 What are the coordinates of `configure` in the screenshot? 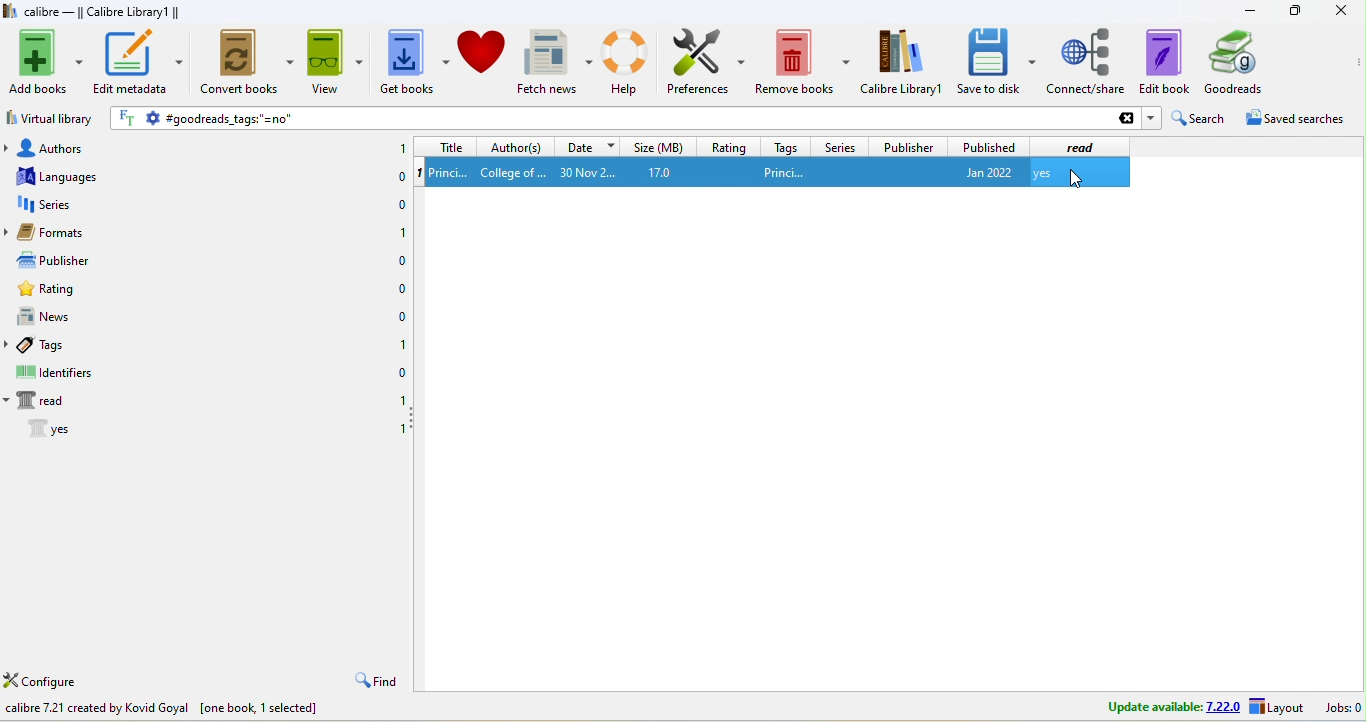 It's located at (53, 679).